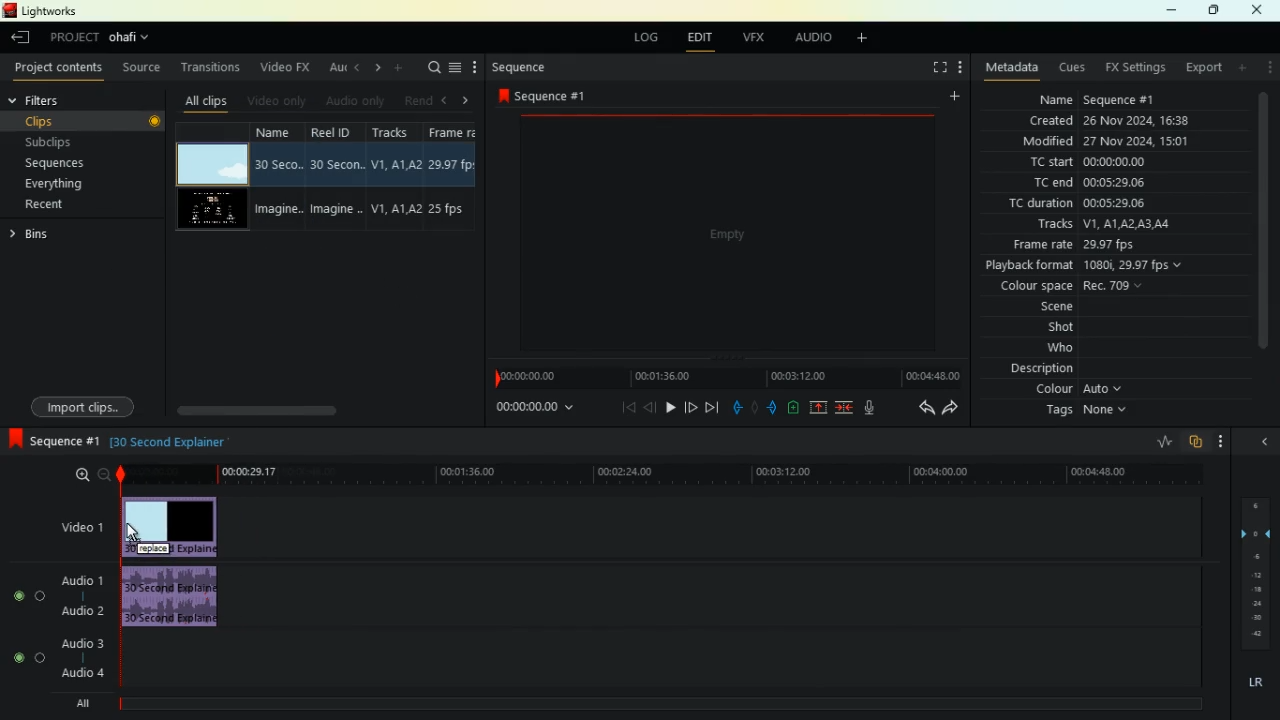  What do you see at coordinates (334, 68) in the screenshot?
I see `au` at bounding box center [334, 68].